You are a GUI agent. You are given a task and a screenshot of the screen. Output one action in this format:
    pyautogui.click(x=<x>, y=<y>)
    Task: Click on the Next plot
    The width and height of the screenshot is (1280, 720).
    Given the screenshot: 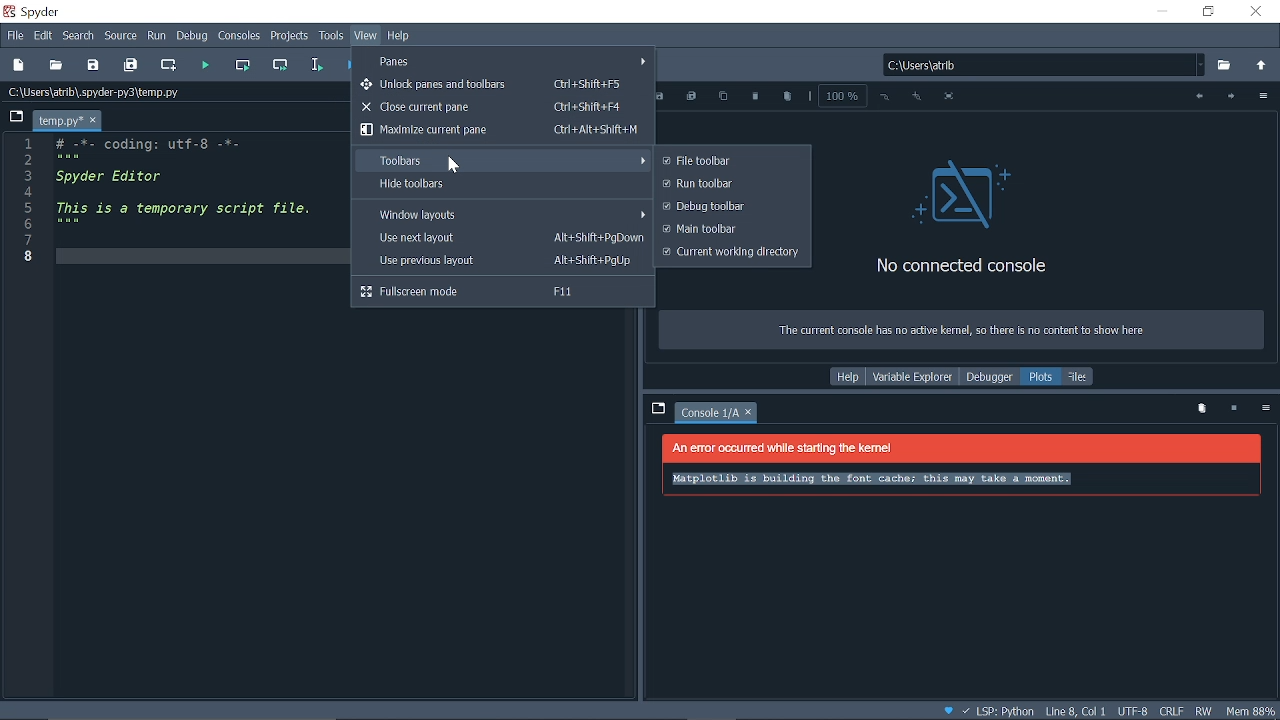 What is the action you would take?
    pyautogui.click(x=1230, y=97)
    